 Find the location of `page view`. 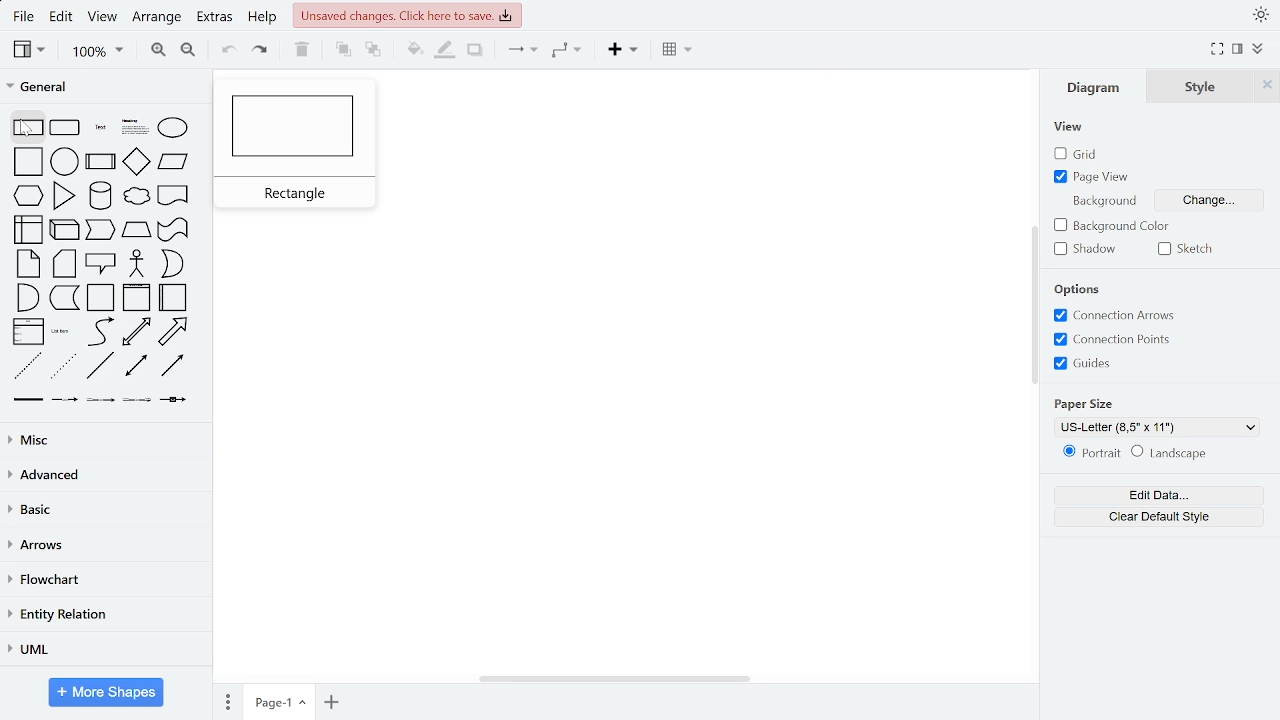

page view is located at coordinates (1088, 178).